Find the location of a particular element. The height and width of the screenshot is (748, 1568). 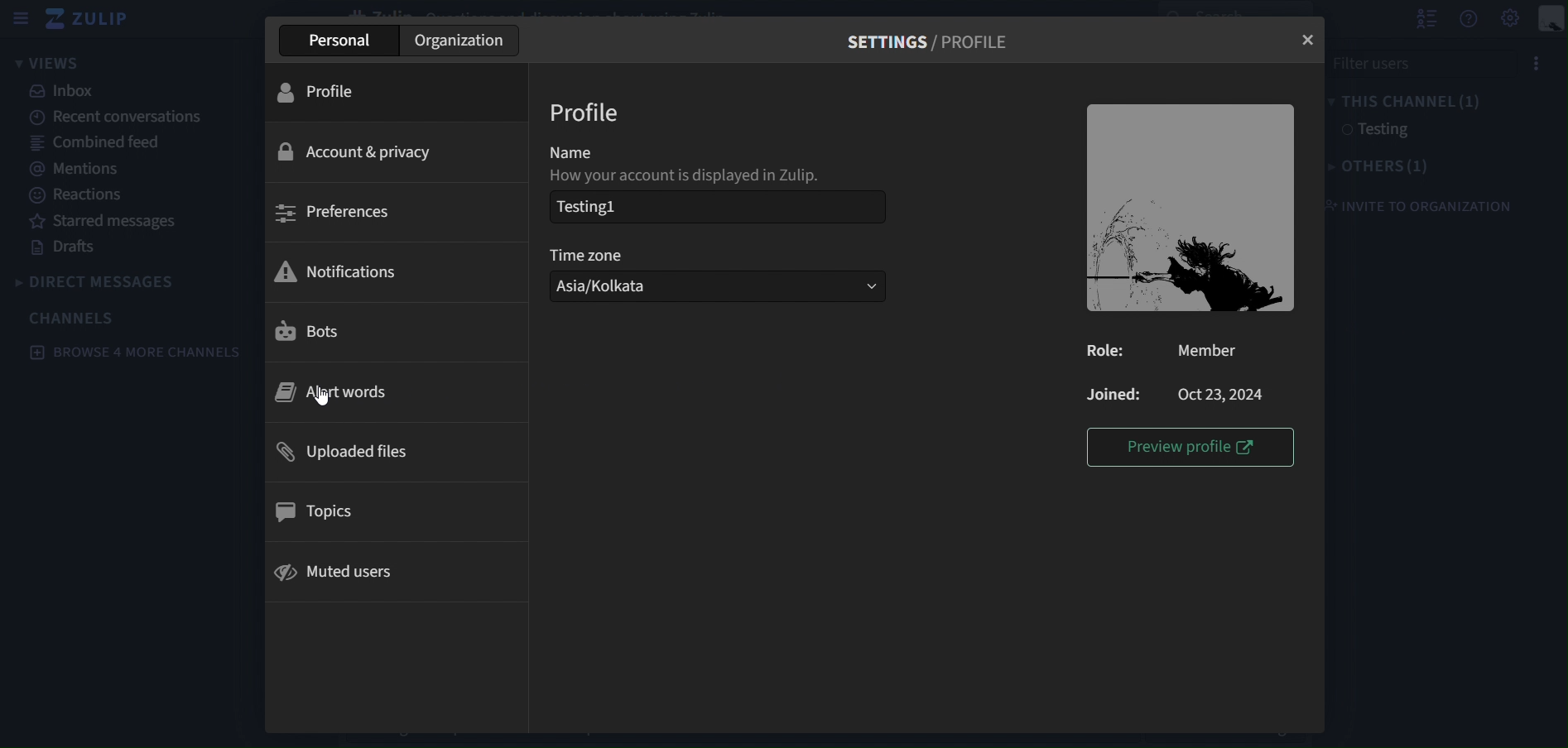

Cursor is located at coordinates (319, 396).